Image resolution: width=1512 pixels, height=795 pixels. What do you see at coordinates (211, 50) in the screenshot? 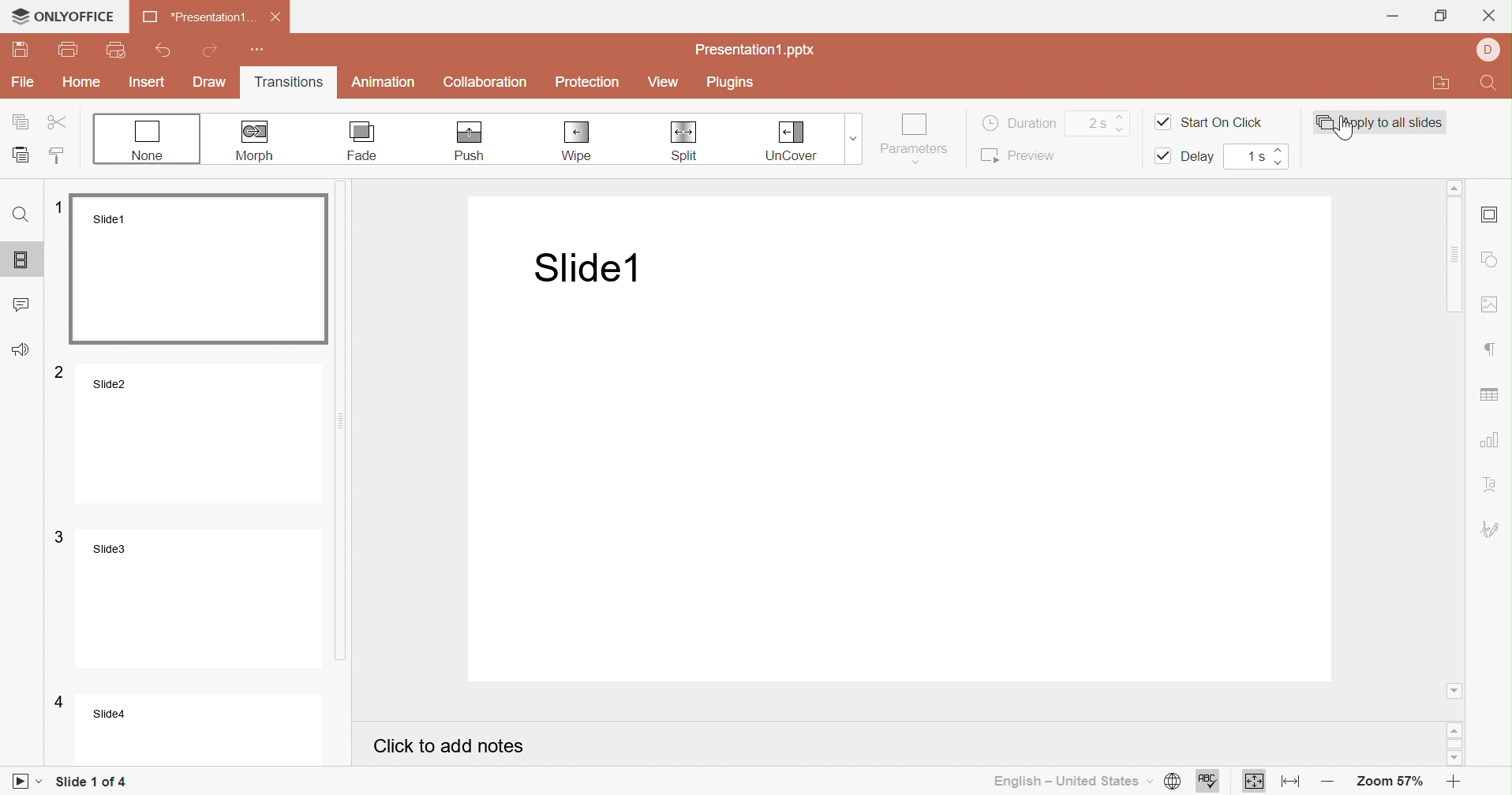
I see `Redo` at bounding box center [211, 50].